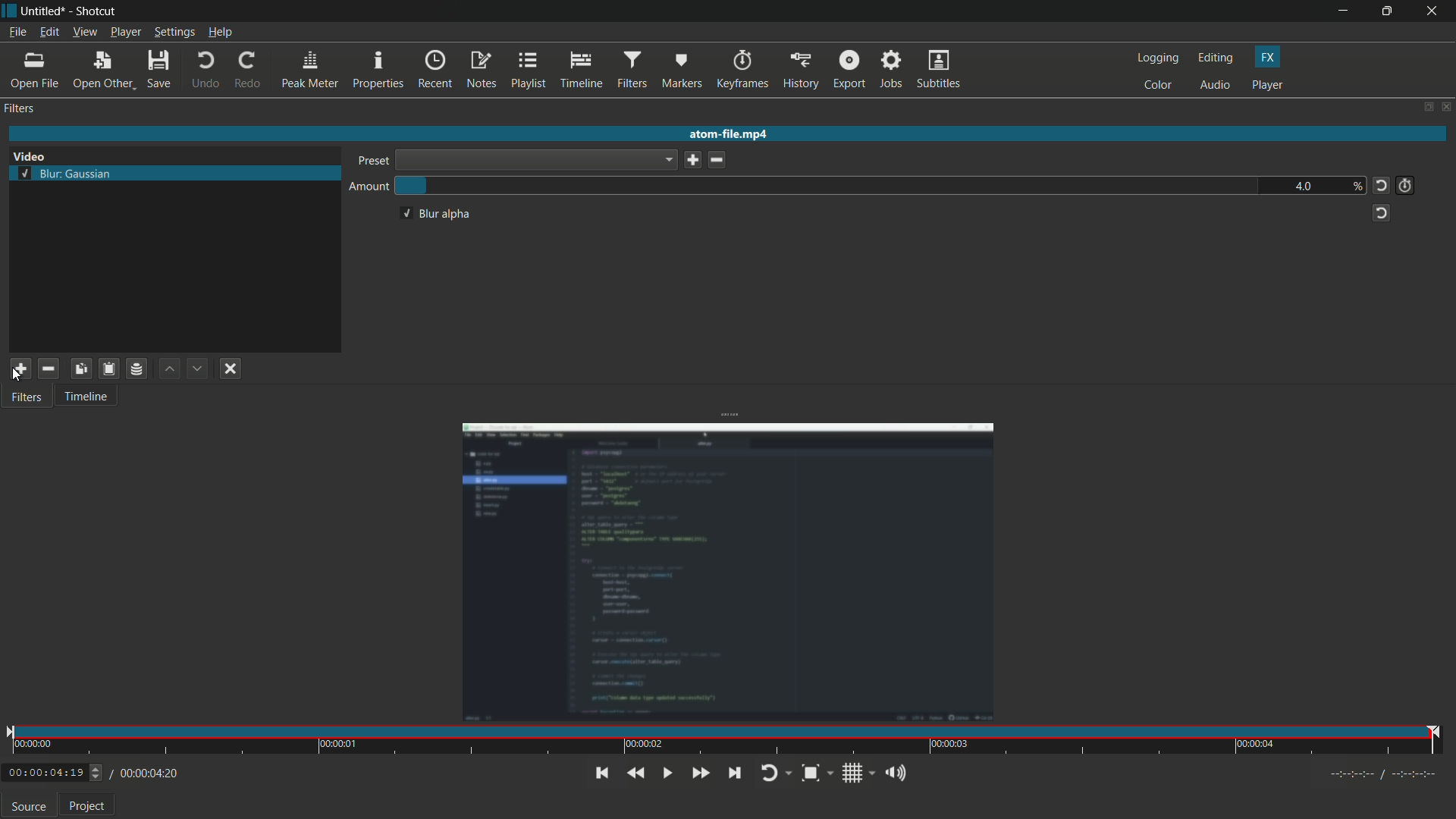  What do you see at coordinates (83, 33) in the screenshot?
I see `view menu` at bounding box center [83, 33].